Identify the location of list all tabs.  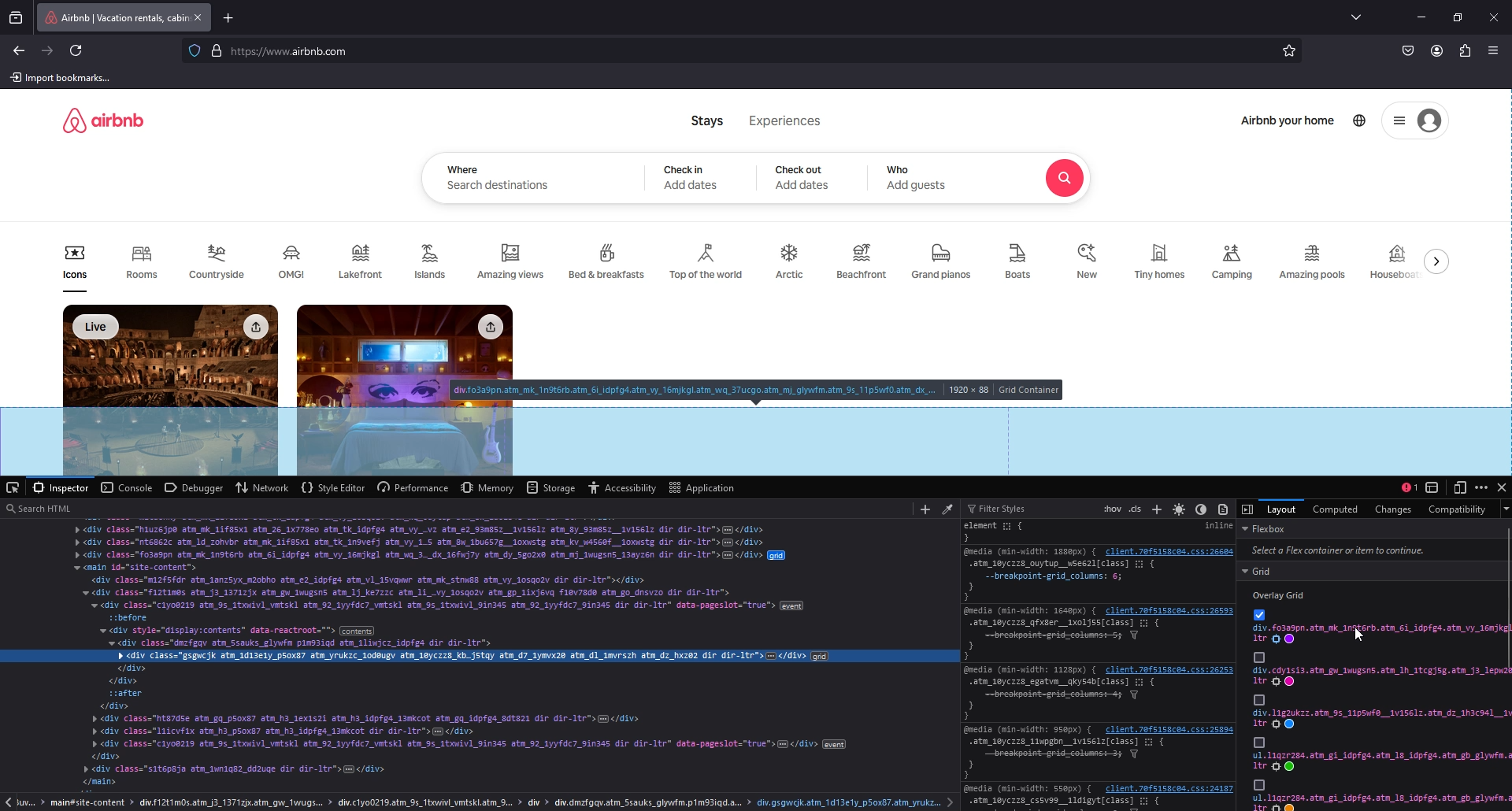
(1359, 16).